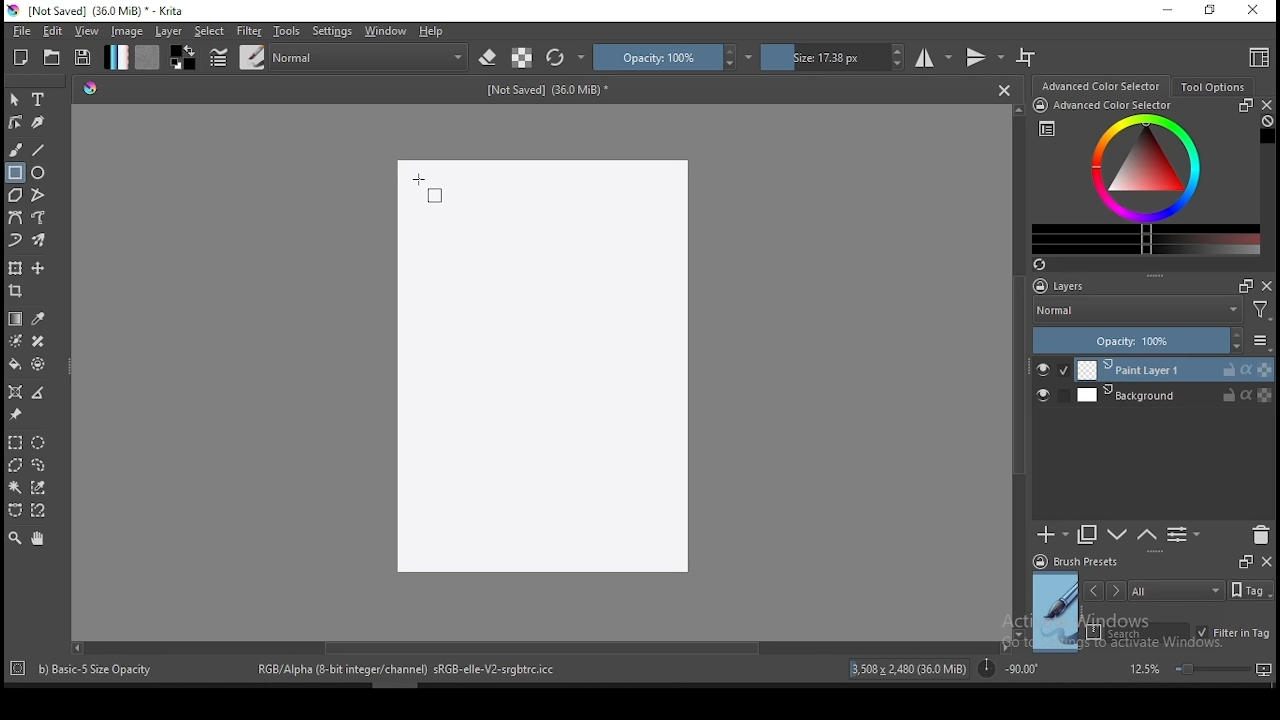 Image resolution: width=1280 pixels, height=720 pixels. Describe the element at coordinates (41, 487) in the screenshot. I see `similar color selection tool` at that location.